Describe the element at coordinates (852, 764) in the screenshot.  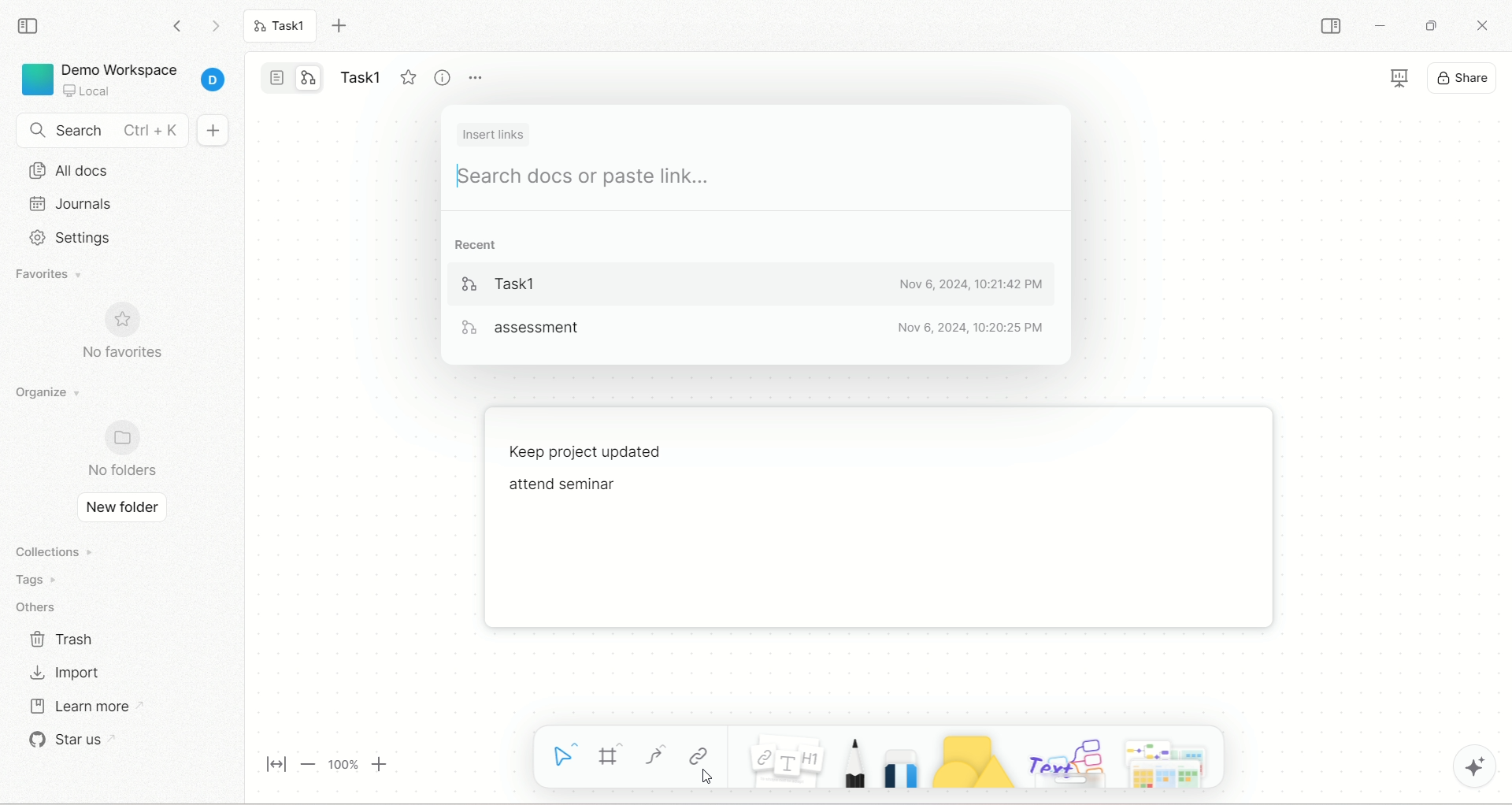
I see `pencil` at that location.